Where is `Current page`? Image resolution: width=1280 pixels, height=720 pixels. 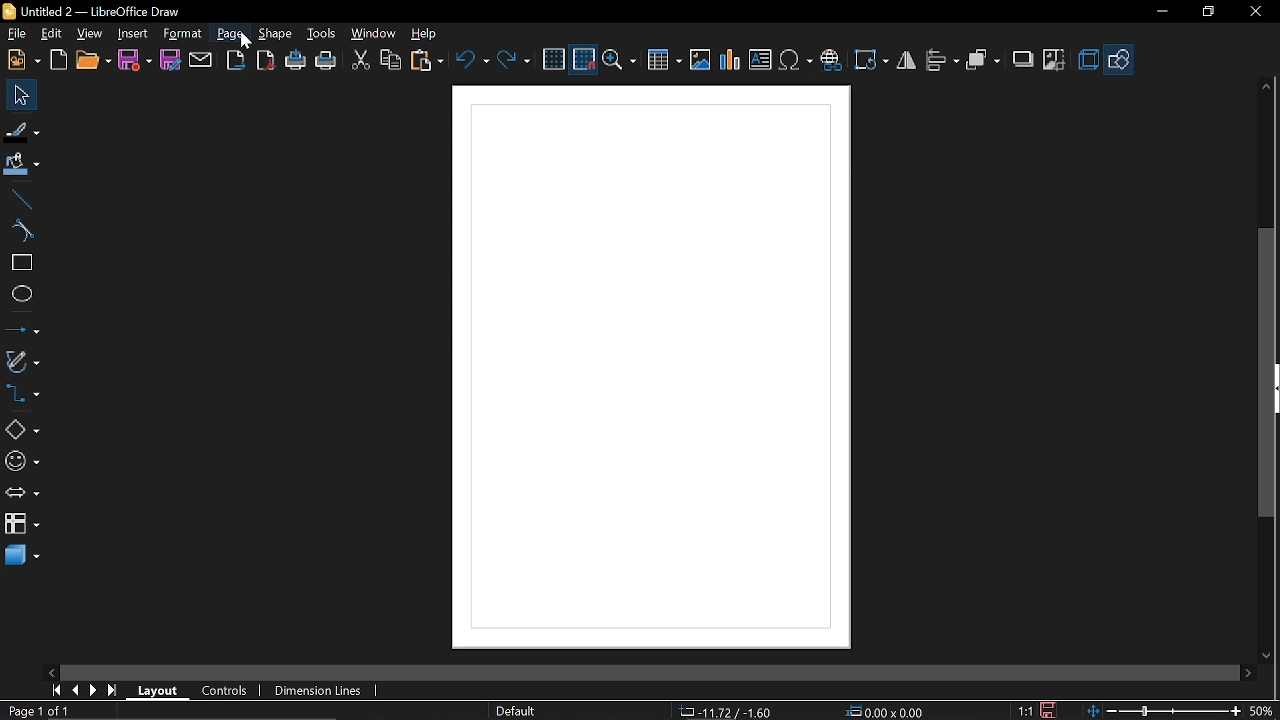
Current page is located at coordinates (38, 711).